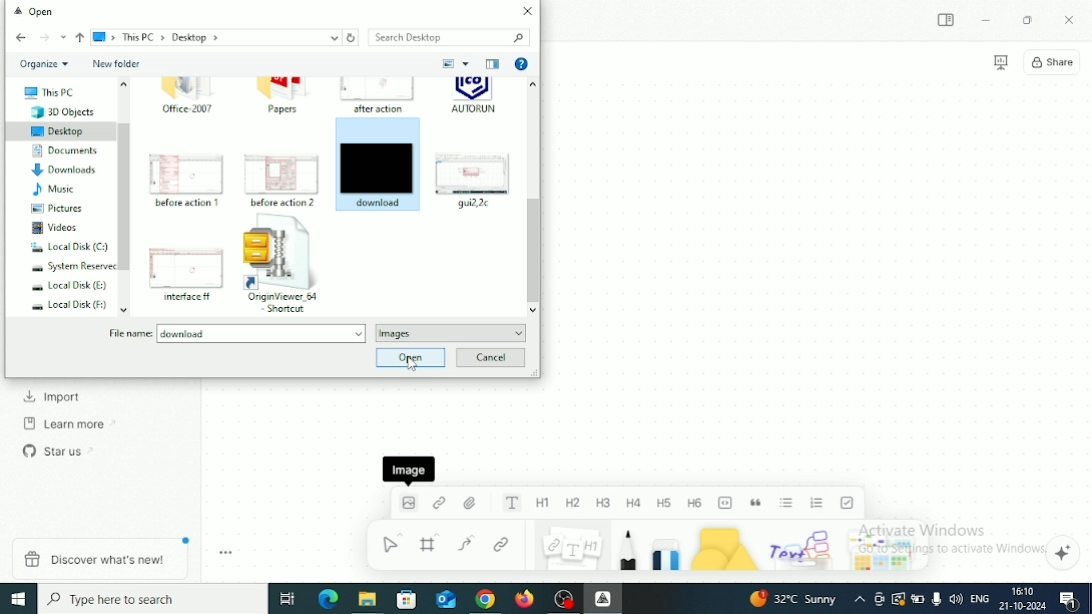  I want to click on This PC > Desktop >, so click(216, 38).